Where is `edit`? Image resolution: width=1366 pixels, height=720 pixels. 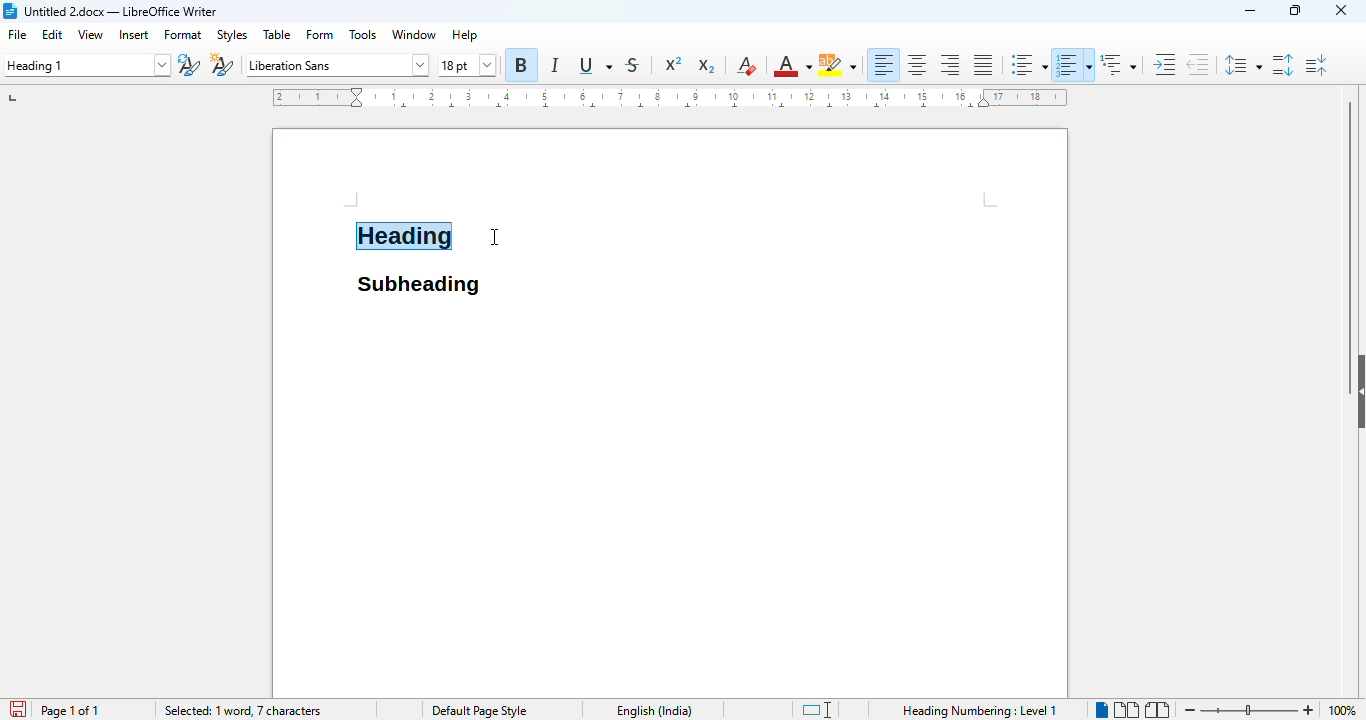
edit is located at coordinates (53, 34).